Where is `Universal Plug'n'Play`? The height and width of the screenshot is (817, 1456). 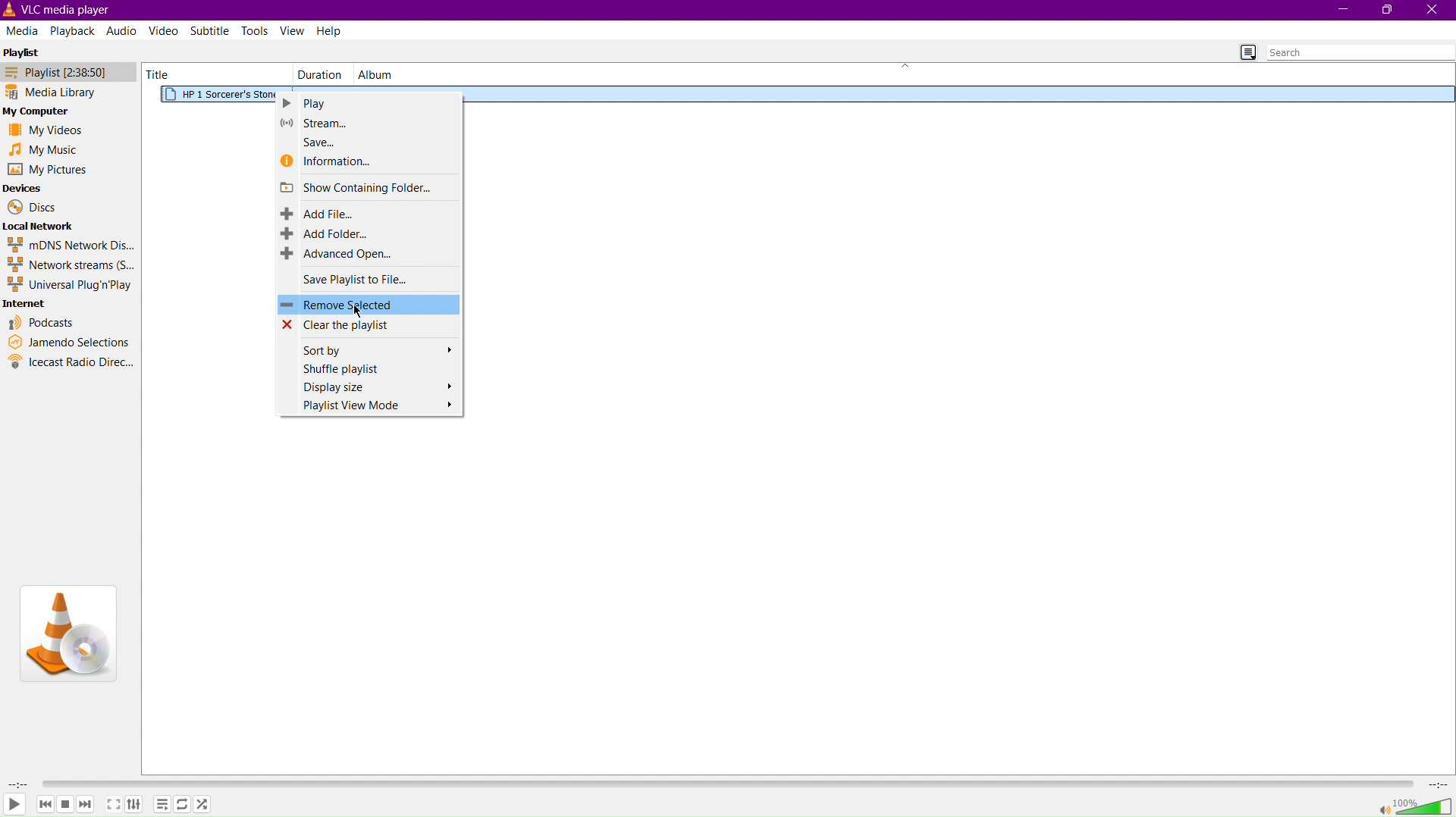 Universal Plug'n'Play is located at coordinates (69, 284).